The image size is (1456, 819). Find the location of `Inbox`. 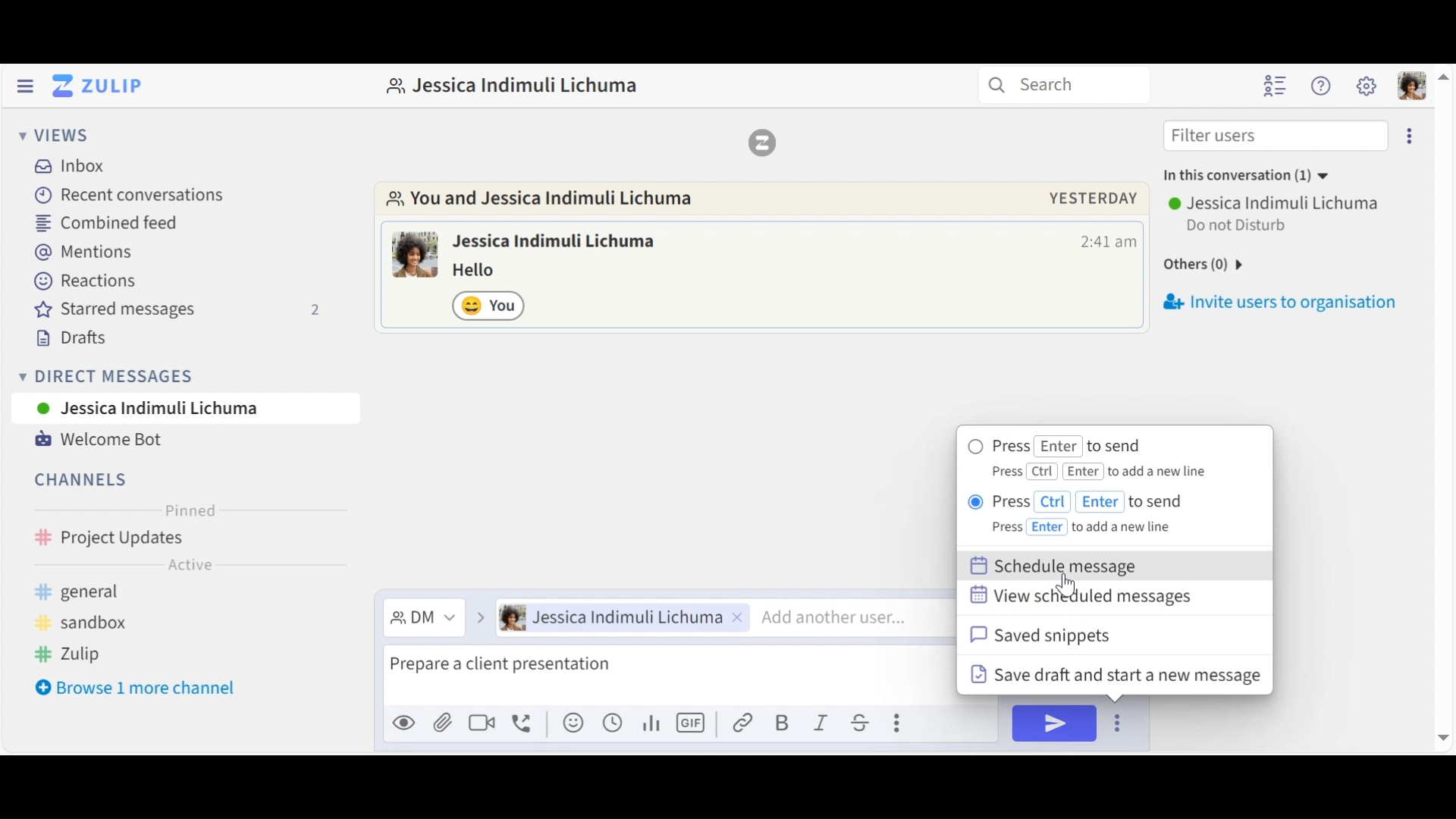

Inbox is located at coordinates (71, 165).